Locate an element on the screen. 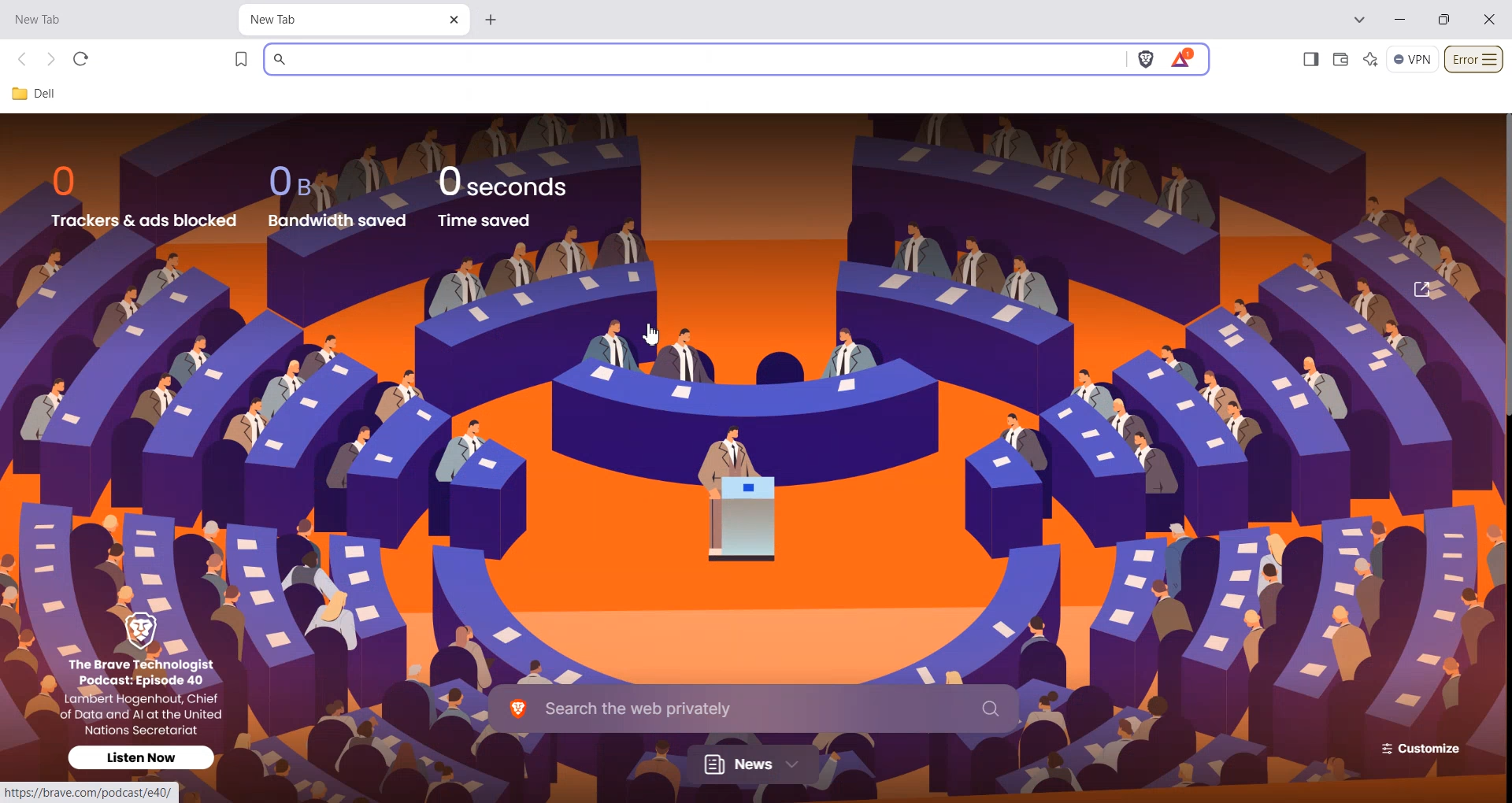 The width and height of the screenshot is (1512, 803). Customize and control brave is located at coordinates (1474, 60).